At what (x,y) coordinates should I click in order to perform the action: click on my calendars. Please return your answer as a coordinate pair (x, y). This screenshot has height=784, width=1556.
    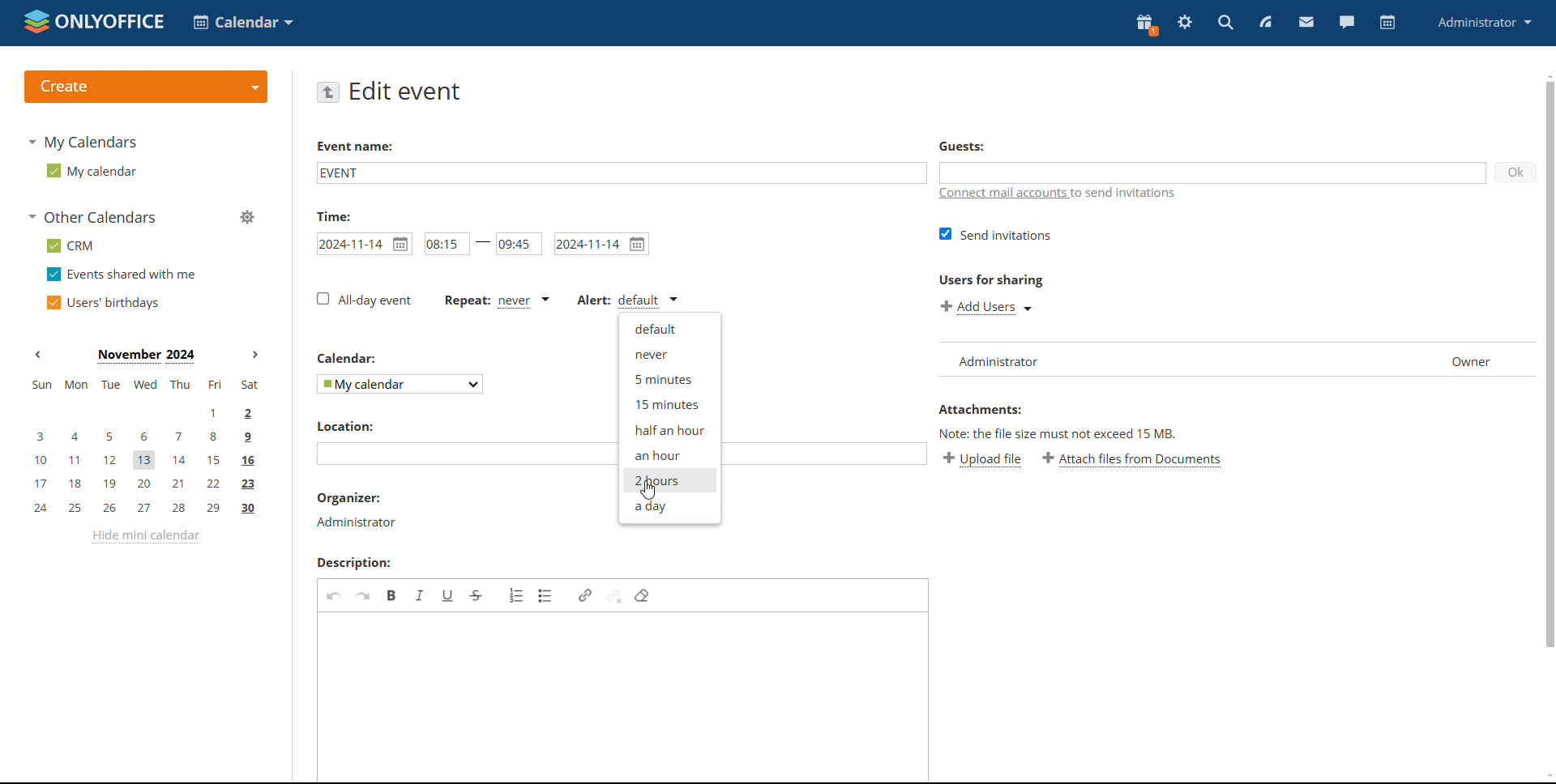
    Looking at the image, I should click on (85, 143).